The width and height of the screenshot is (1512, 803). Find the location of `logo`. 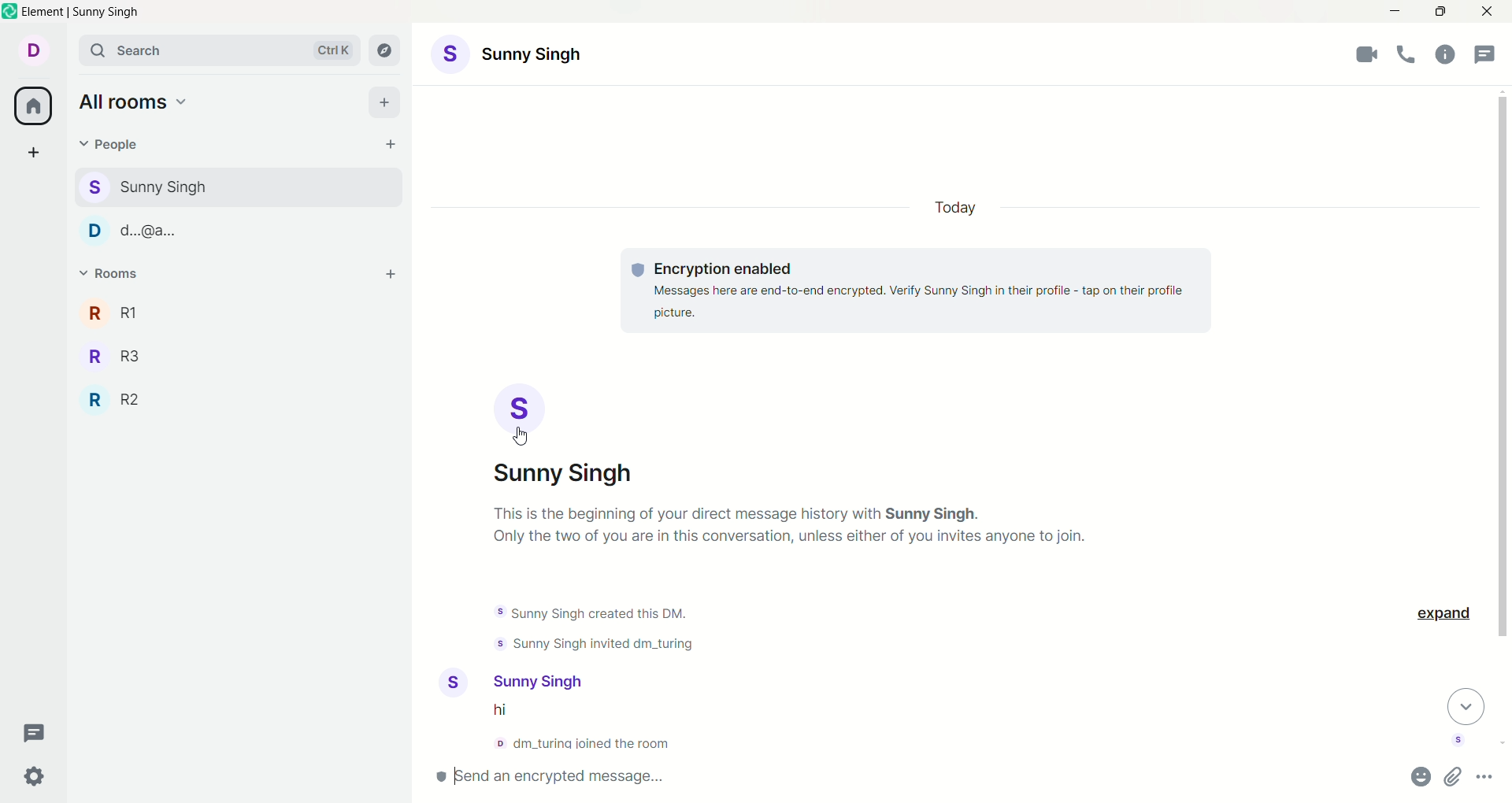

logo is located at coordinates (10, 13).